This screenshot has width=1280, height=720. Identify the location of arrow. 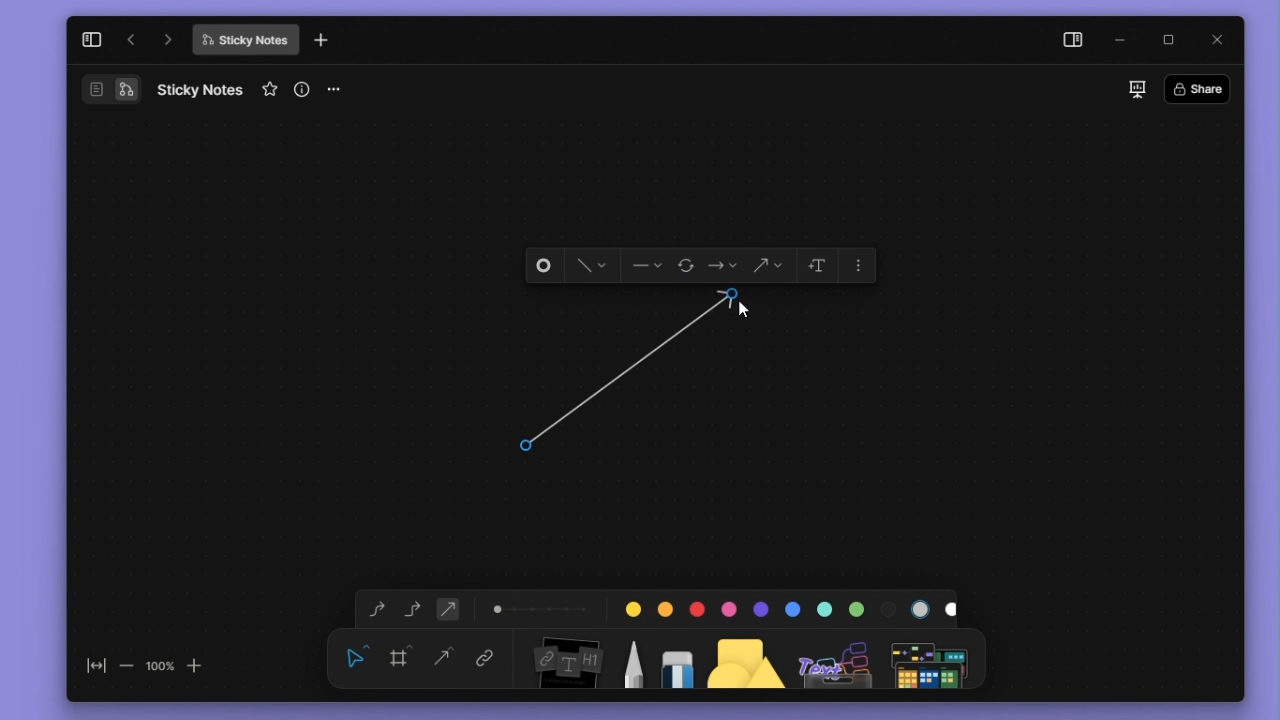
(637, 375).